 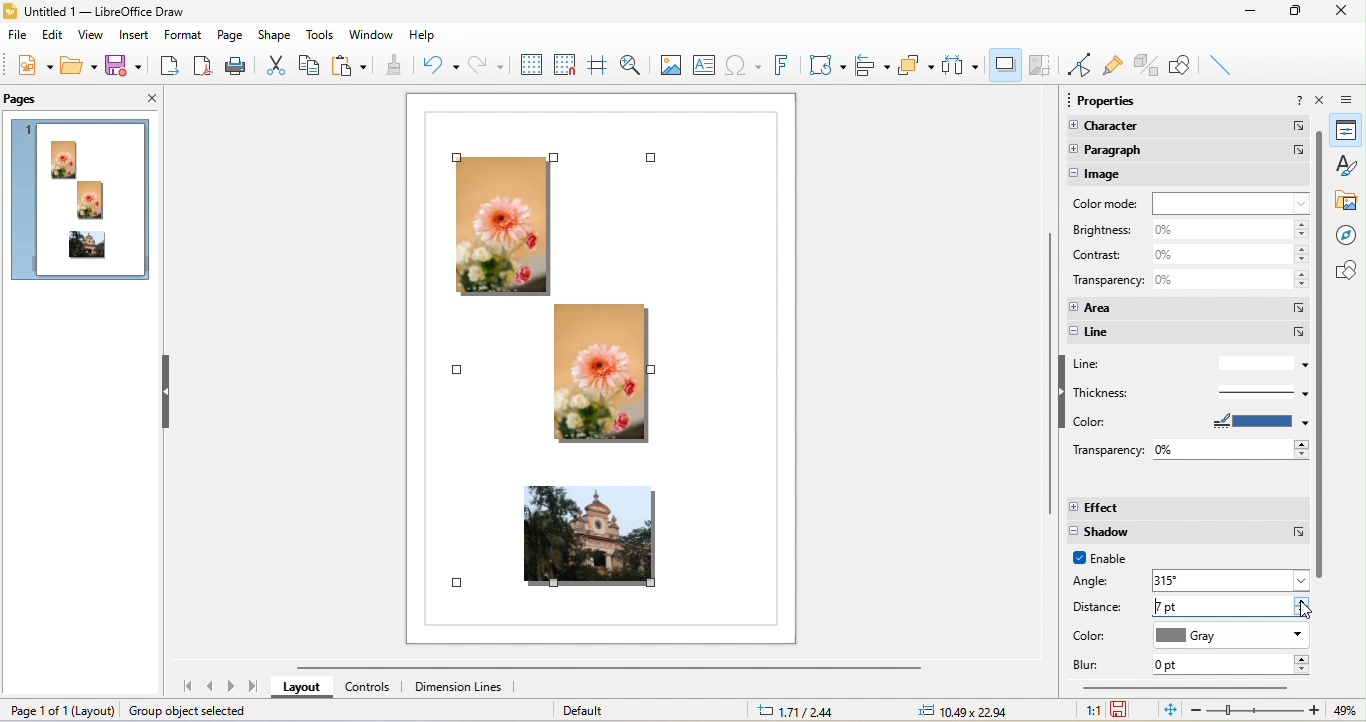 What do you see at coordinates (1100, 608) in the screenshot?
I see `distance` at bounding box center [1100, 608].